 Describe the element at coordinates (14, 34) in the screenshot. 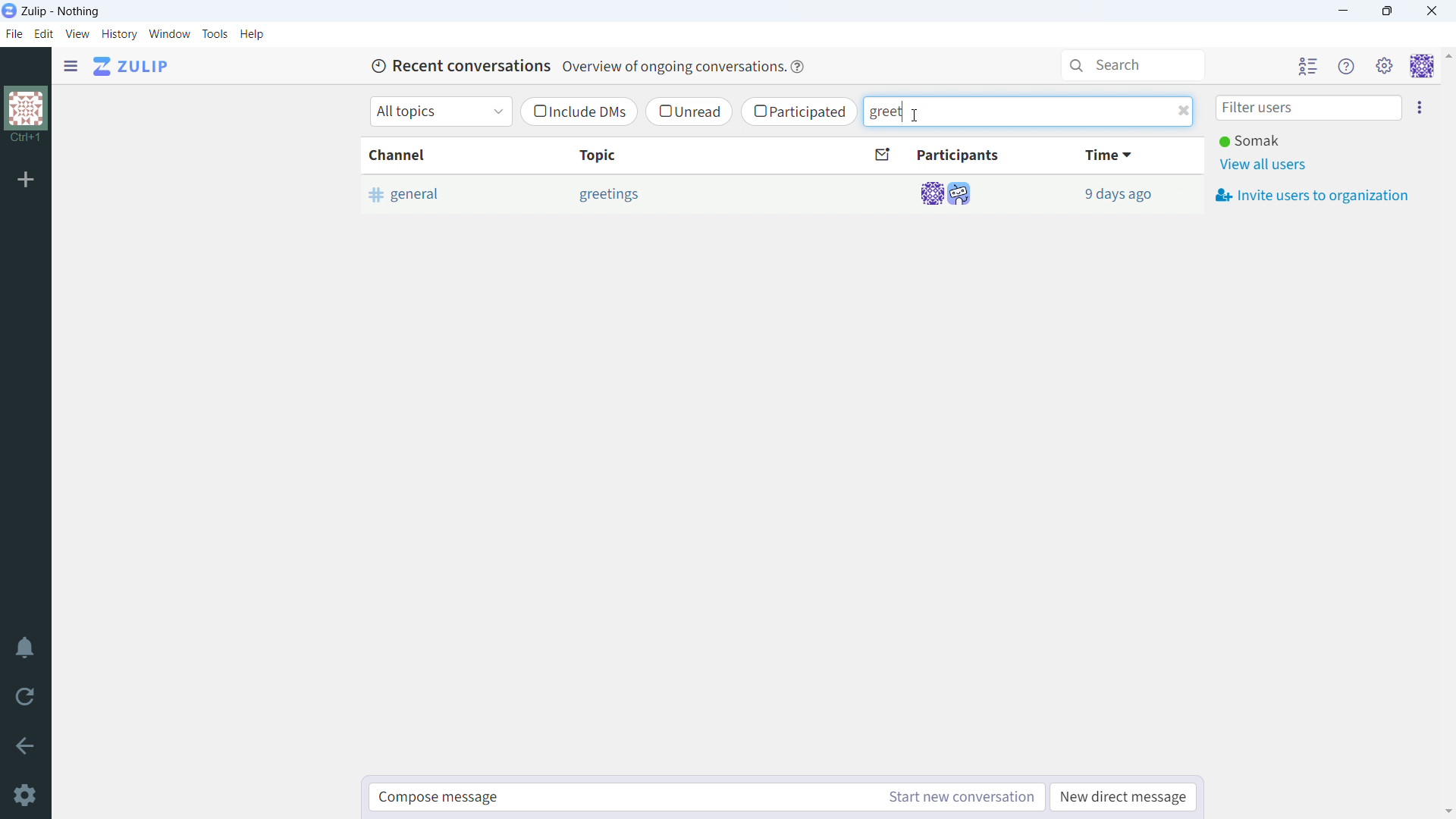

I see `file` at that location.